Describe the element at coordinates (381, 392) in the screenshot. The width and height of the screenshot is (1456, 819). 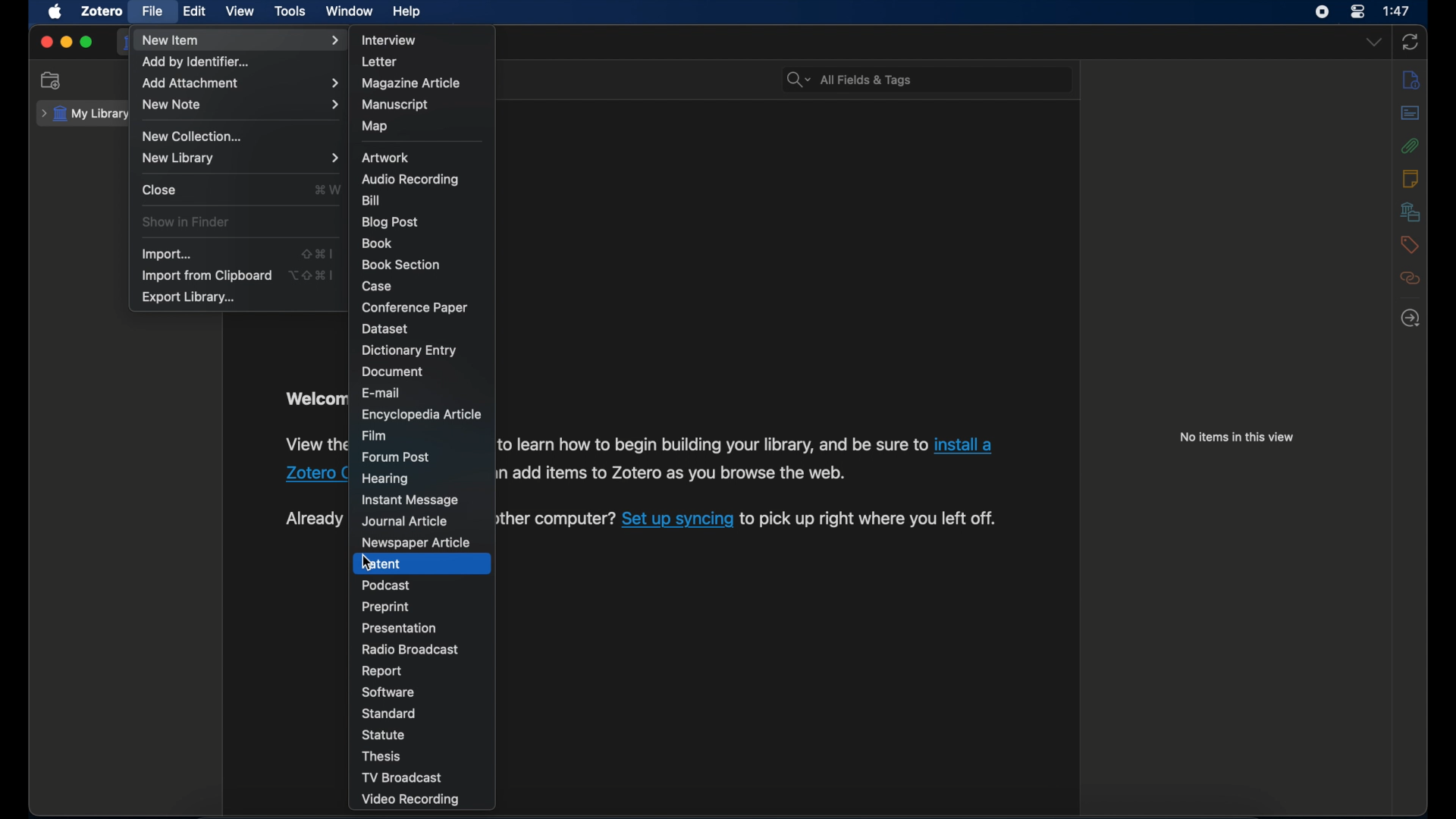
I see `e-mail` at that location.